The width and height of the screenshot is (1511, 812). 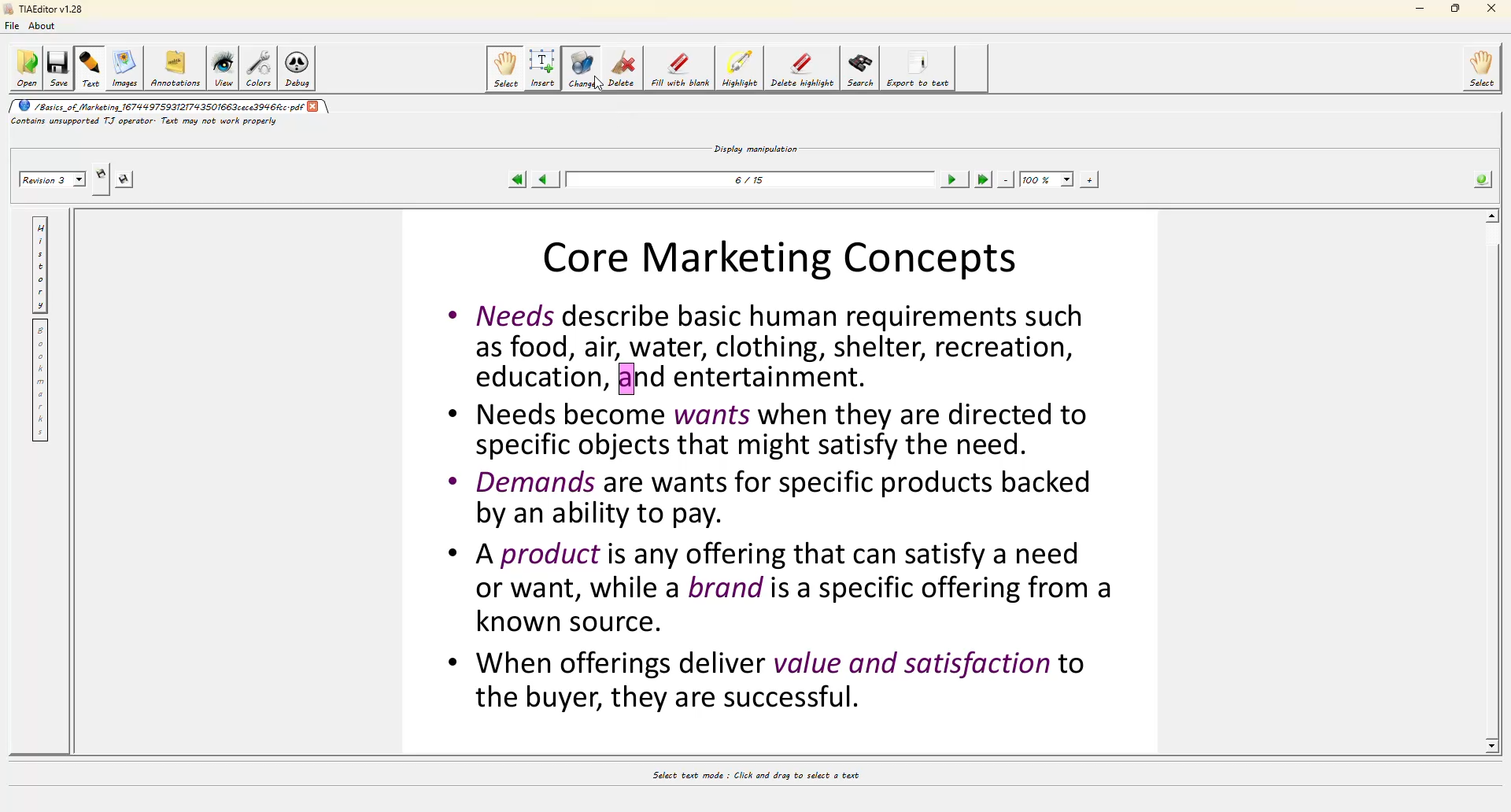 What do you see at coordinates (177, 66) in the screenshot?
I see `annotations` at bounding box center [177, 66].